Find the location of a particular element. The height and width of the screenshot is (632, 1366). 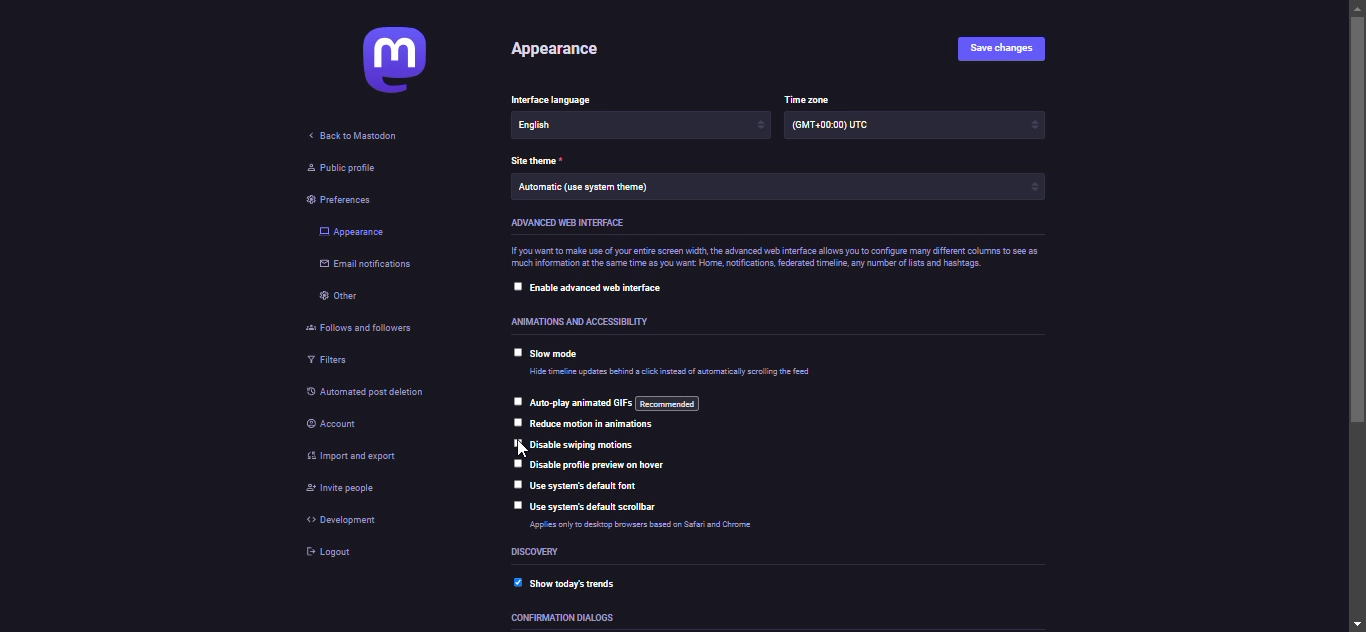

disable swiping motions is located at coordinates (582, 446).